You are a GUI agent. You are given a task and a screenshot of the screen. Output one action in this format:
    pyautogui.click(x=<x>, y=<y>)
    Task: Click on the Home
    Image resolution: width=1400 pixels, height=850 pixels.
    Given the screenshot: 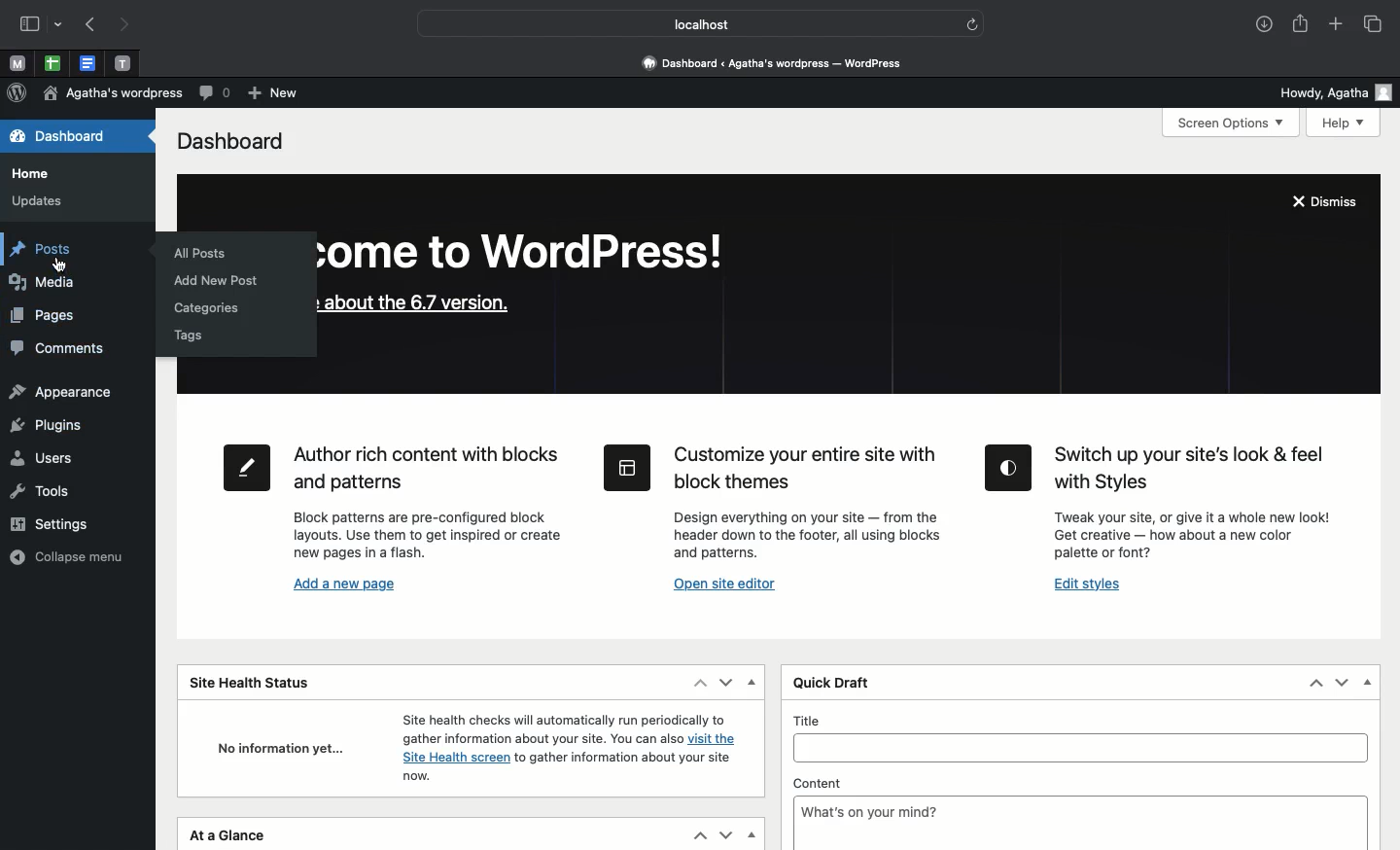 What is the action you would take?
    pyautogui.click(x=30, y=175)
    